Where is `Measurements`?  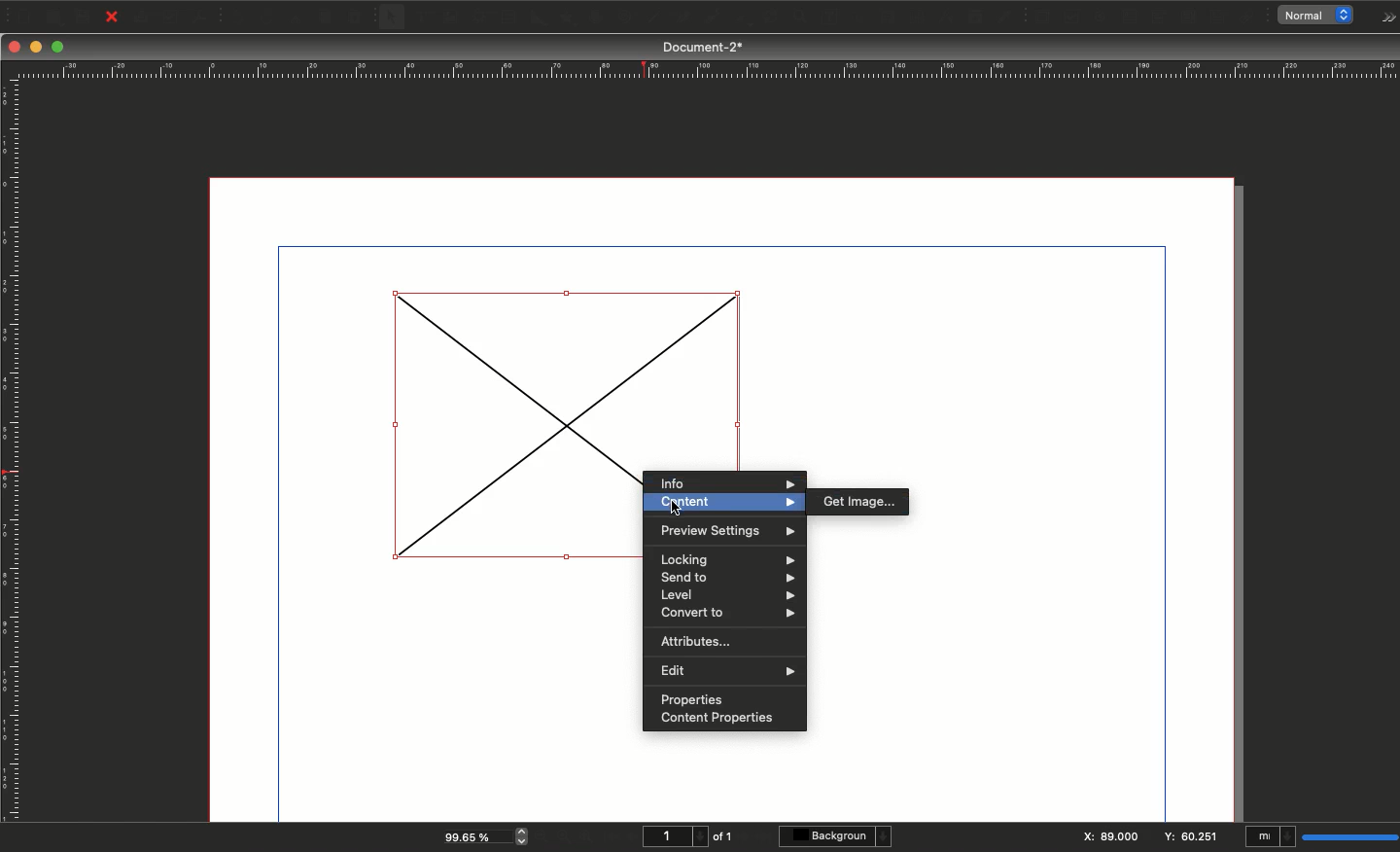
Measurements is located at coordinates (941, 18).